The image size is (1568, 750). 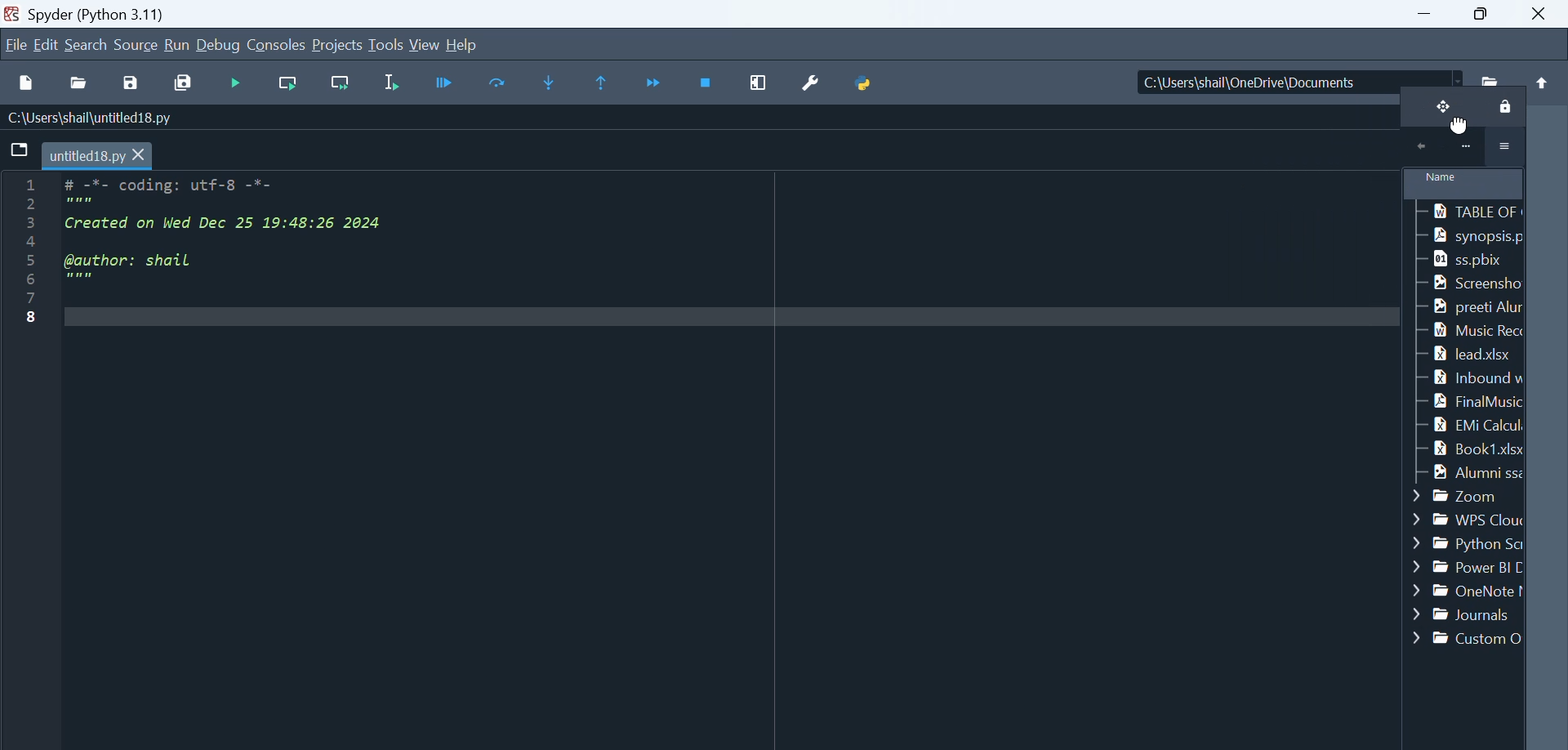 What do you see at coordinates (1462, 185) in the screenshot?
I see `name` at bounding box center [1462, 185].